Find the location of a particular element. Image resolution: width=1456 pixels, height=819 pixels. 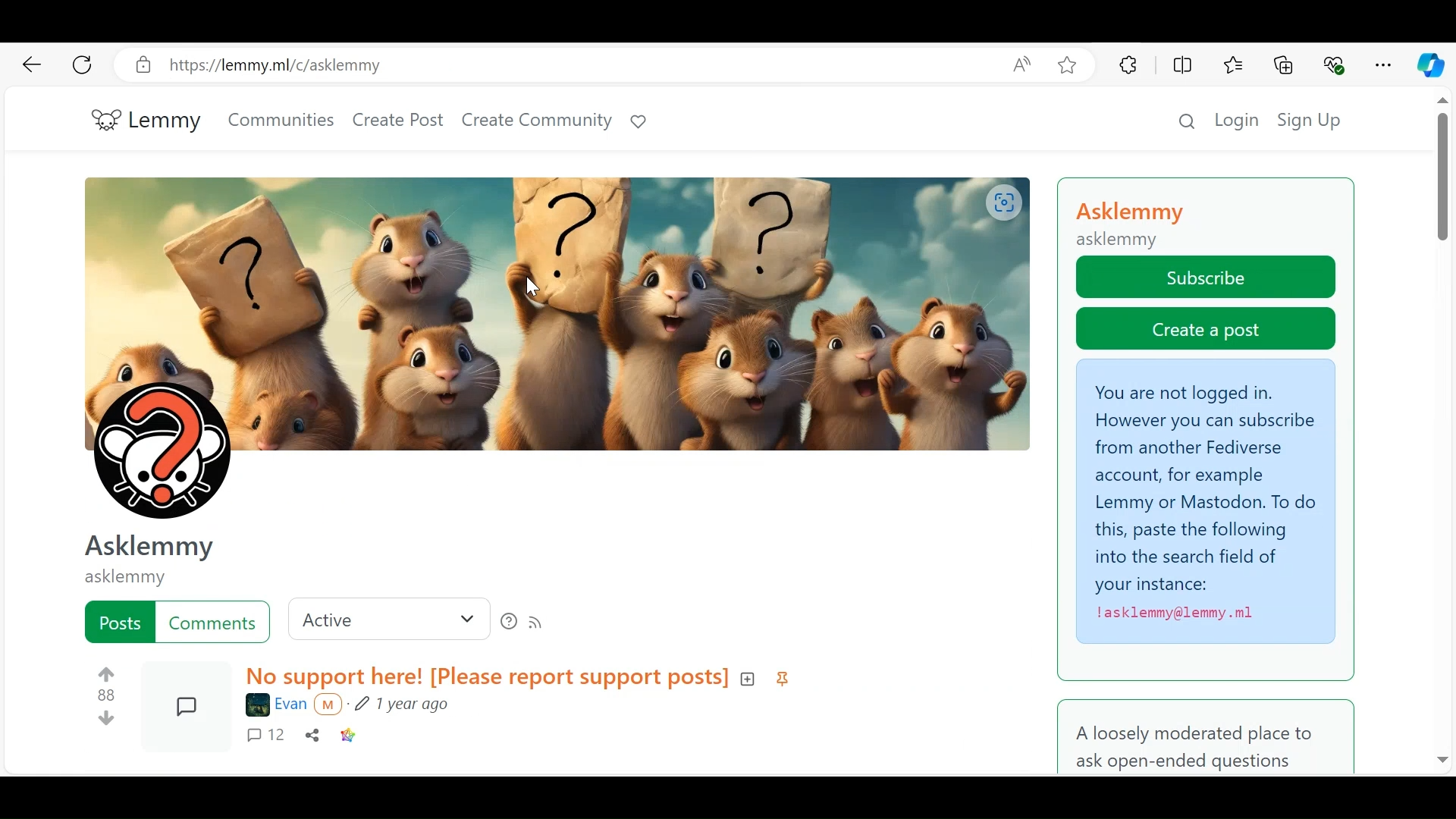

Lemmy is located at coordinates (148, 122).